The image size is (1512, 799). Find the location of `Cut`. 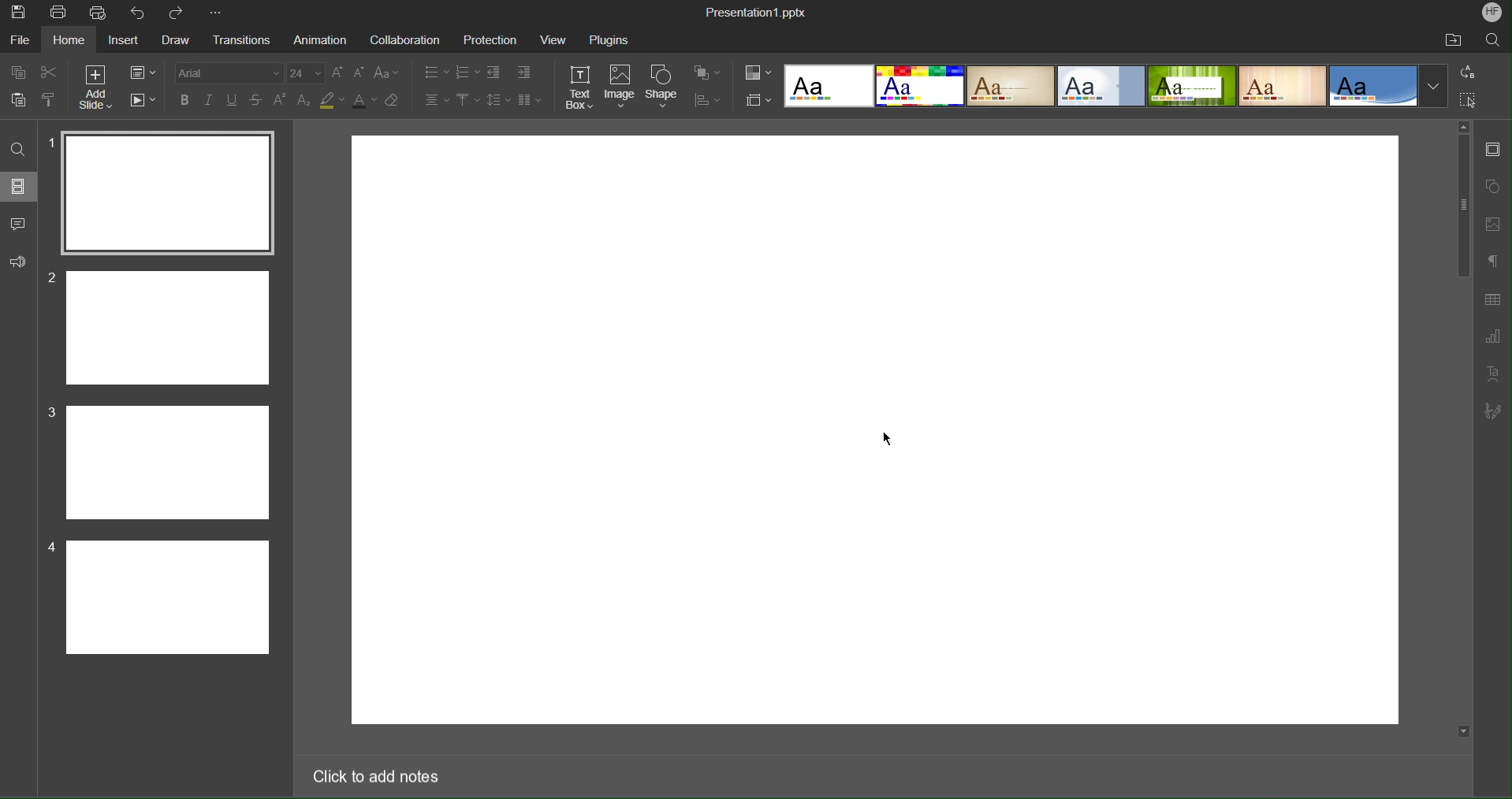

Cut is located at coordinates (51, 71).